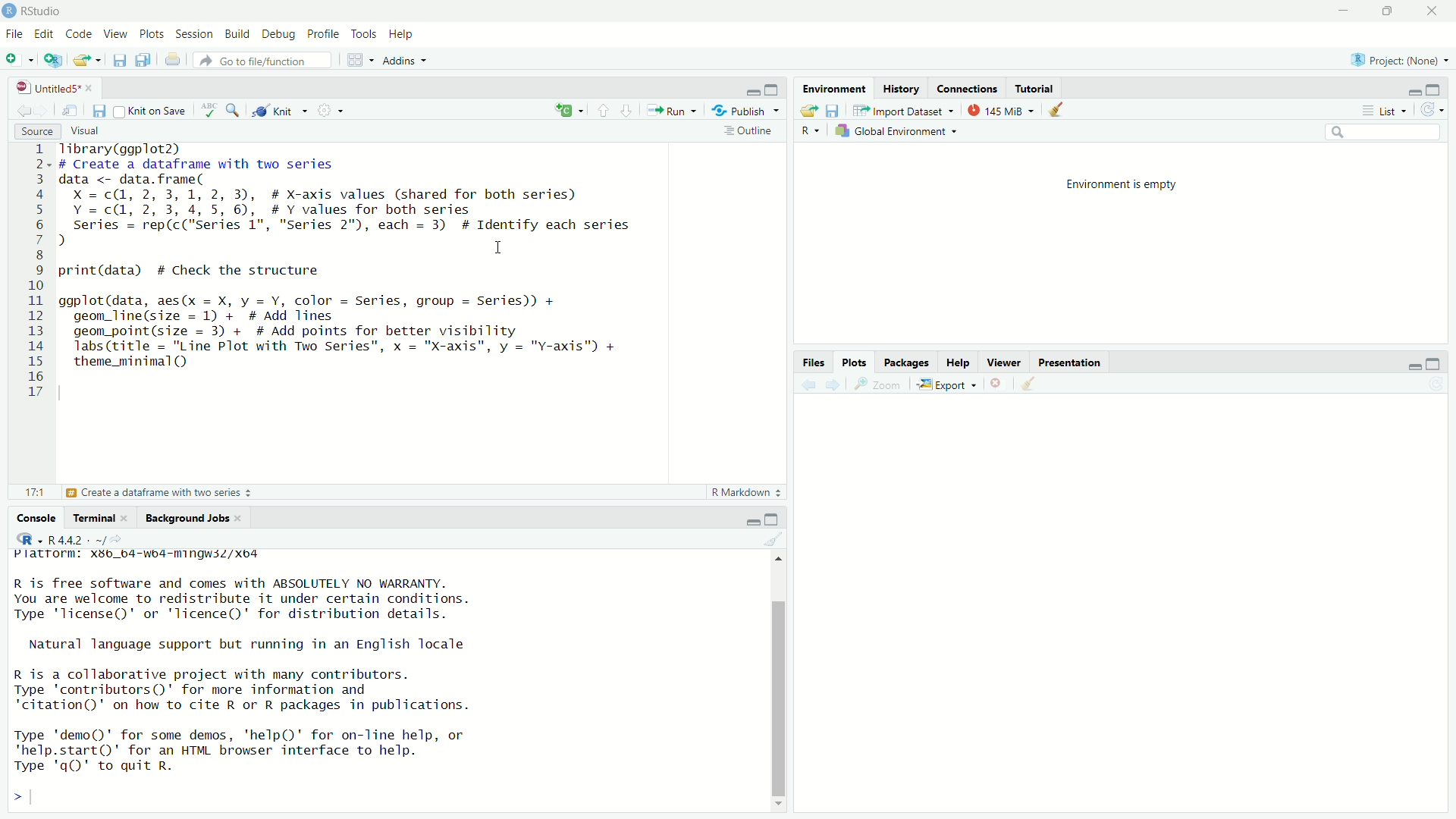 The width and height of the screenshot is (1456, 819). Describe the element at coordinates (857, 363) in the screenshot. I see `Plots` at that location.